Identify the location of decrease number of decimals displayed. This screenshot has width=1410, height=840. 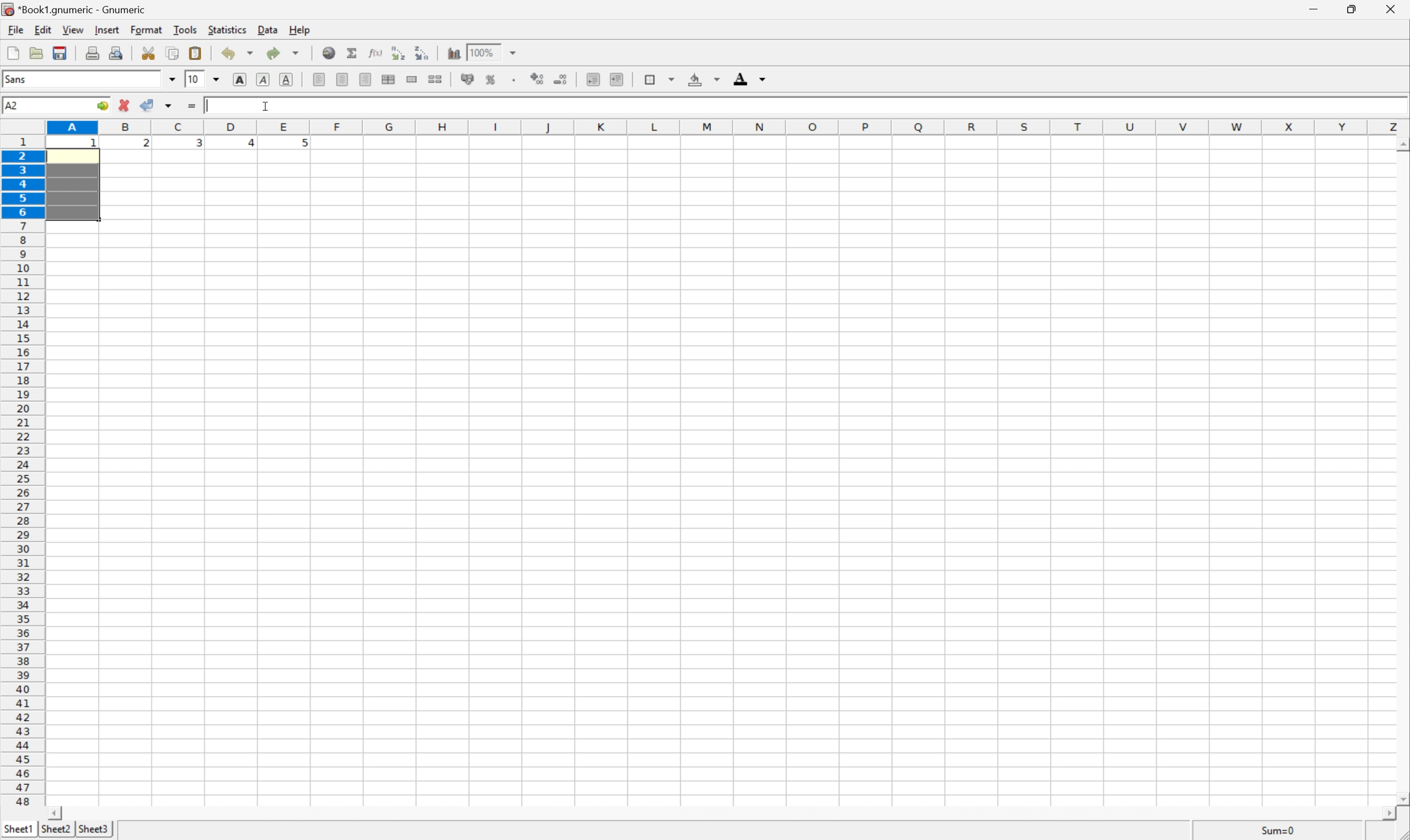
(559, 79).